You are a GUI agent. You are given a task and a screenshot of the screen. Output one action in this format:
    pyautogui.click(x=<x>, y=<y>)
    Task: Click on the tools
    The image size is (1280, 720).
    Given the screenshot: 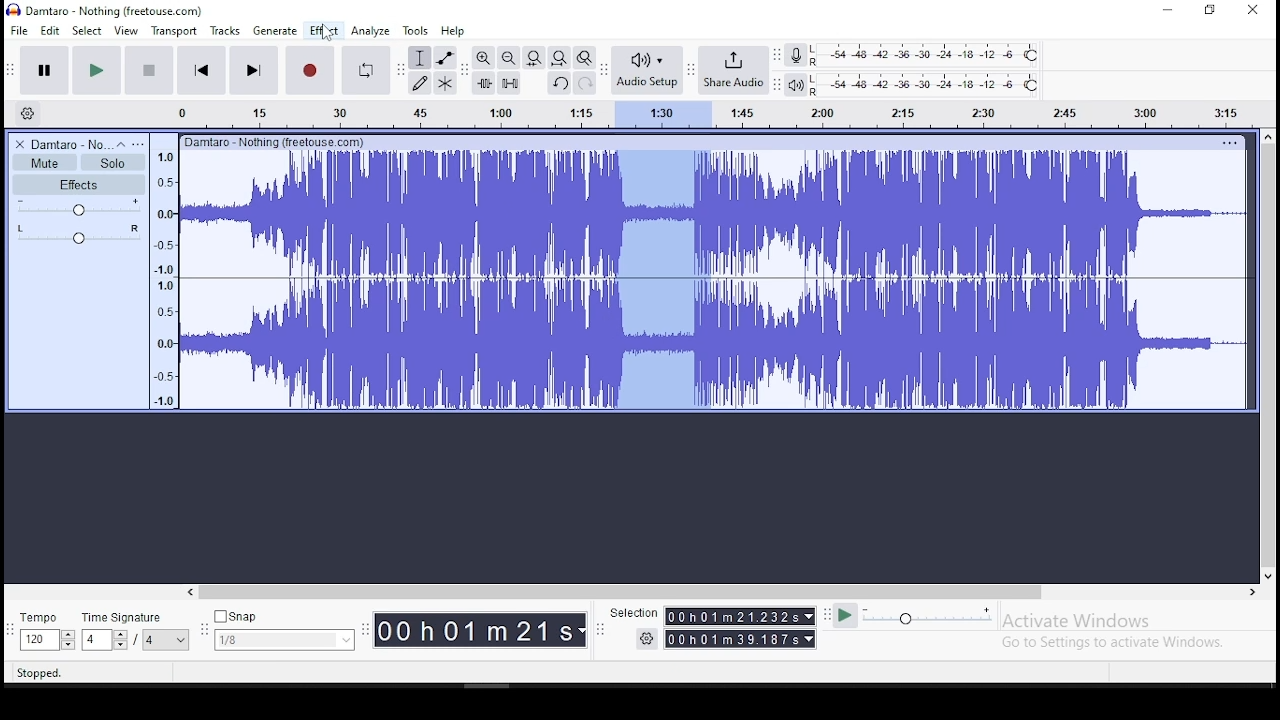 What is the action you would take?
    pyautogui.click(x=416, y=30)
    